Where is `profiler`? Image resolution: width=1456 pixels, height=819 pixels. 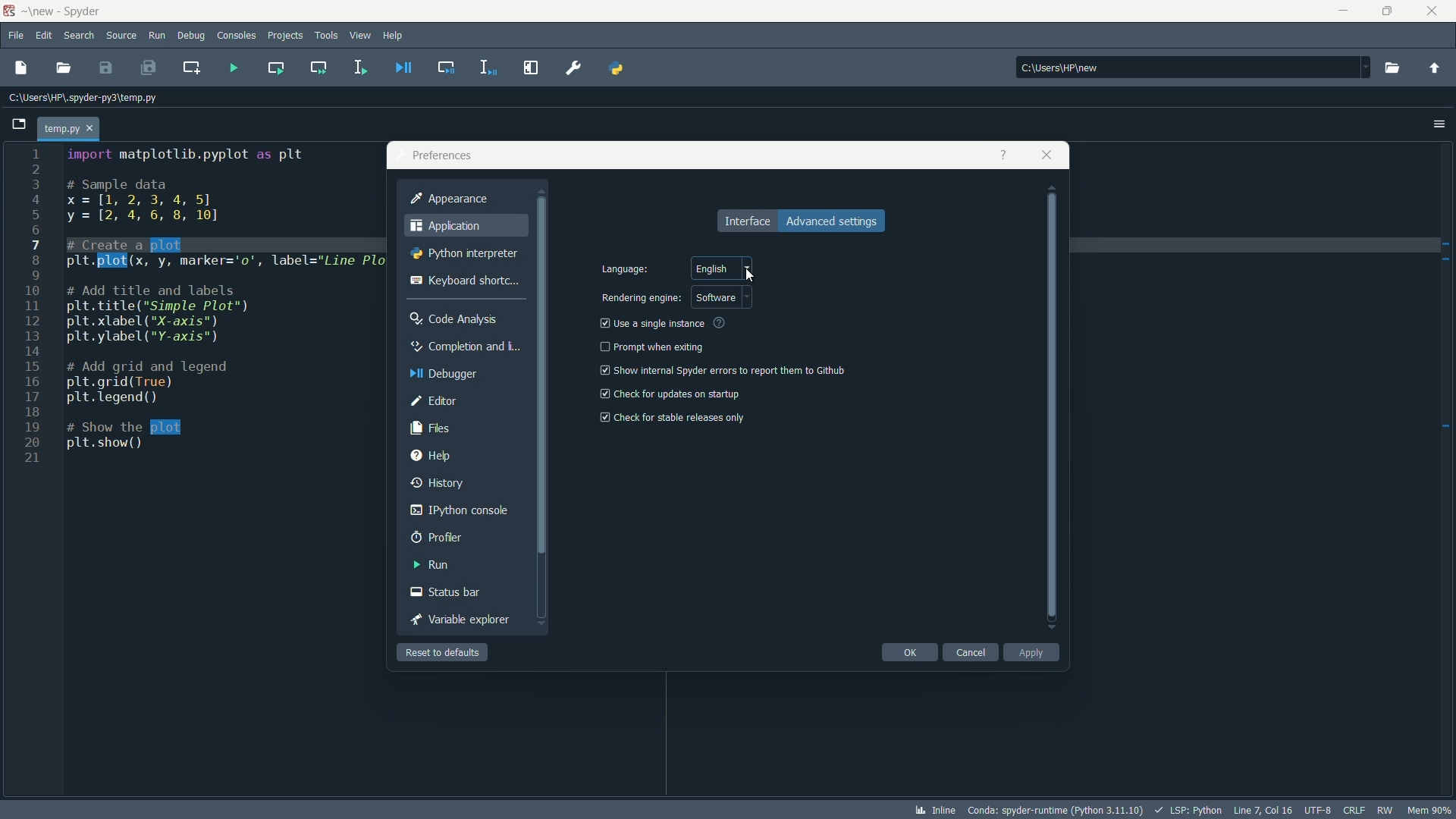
profiler is located at coordinates (438, 537).